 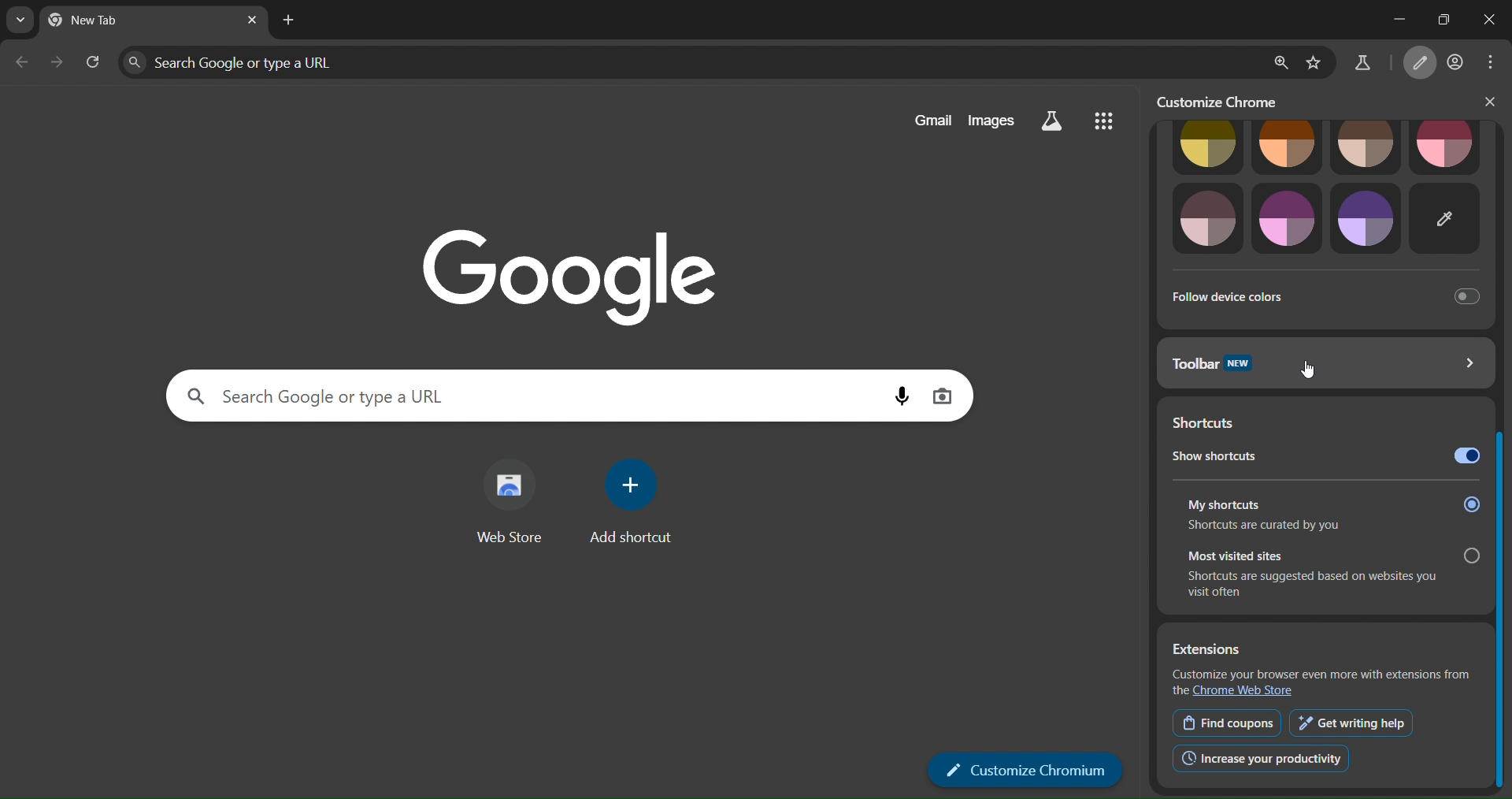 I want to click on theme, so click(x=1367, y=146).